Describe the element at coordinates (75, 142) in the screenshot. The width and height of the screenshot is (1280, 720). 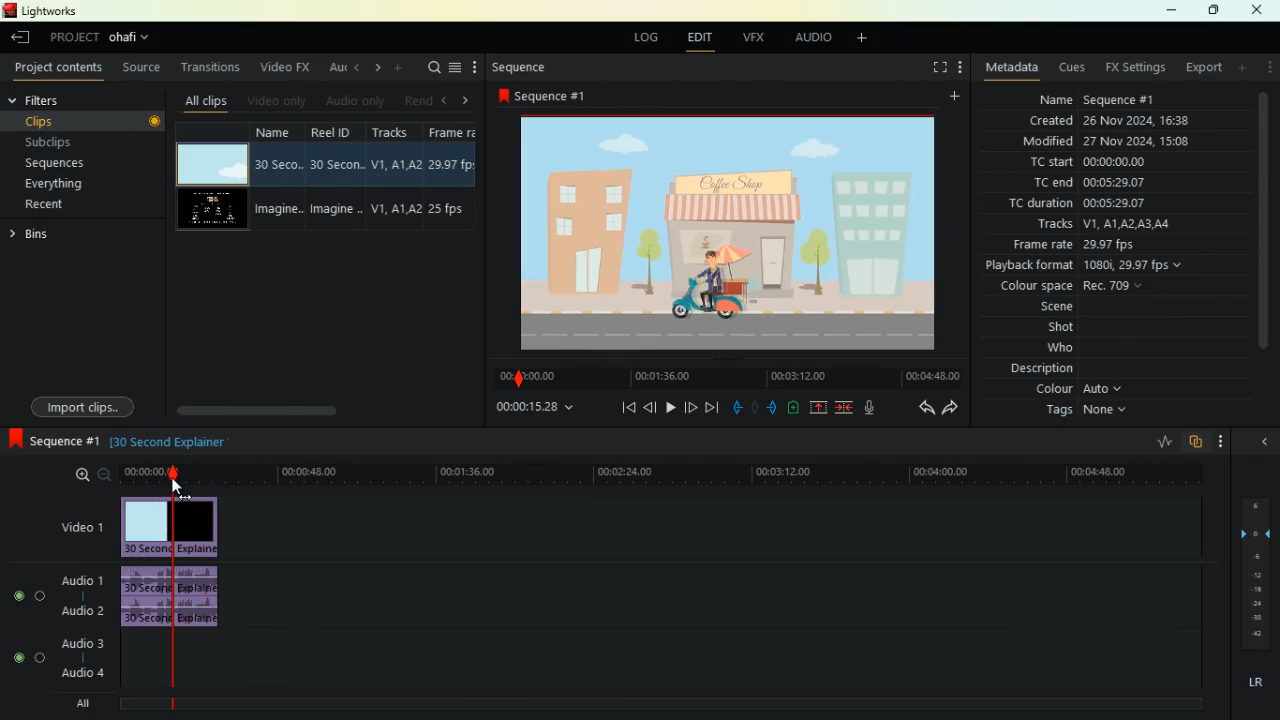
I see `subclips` at that location.